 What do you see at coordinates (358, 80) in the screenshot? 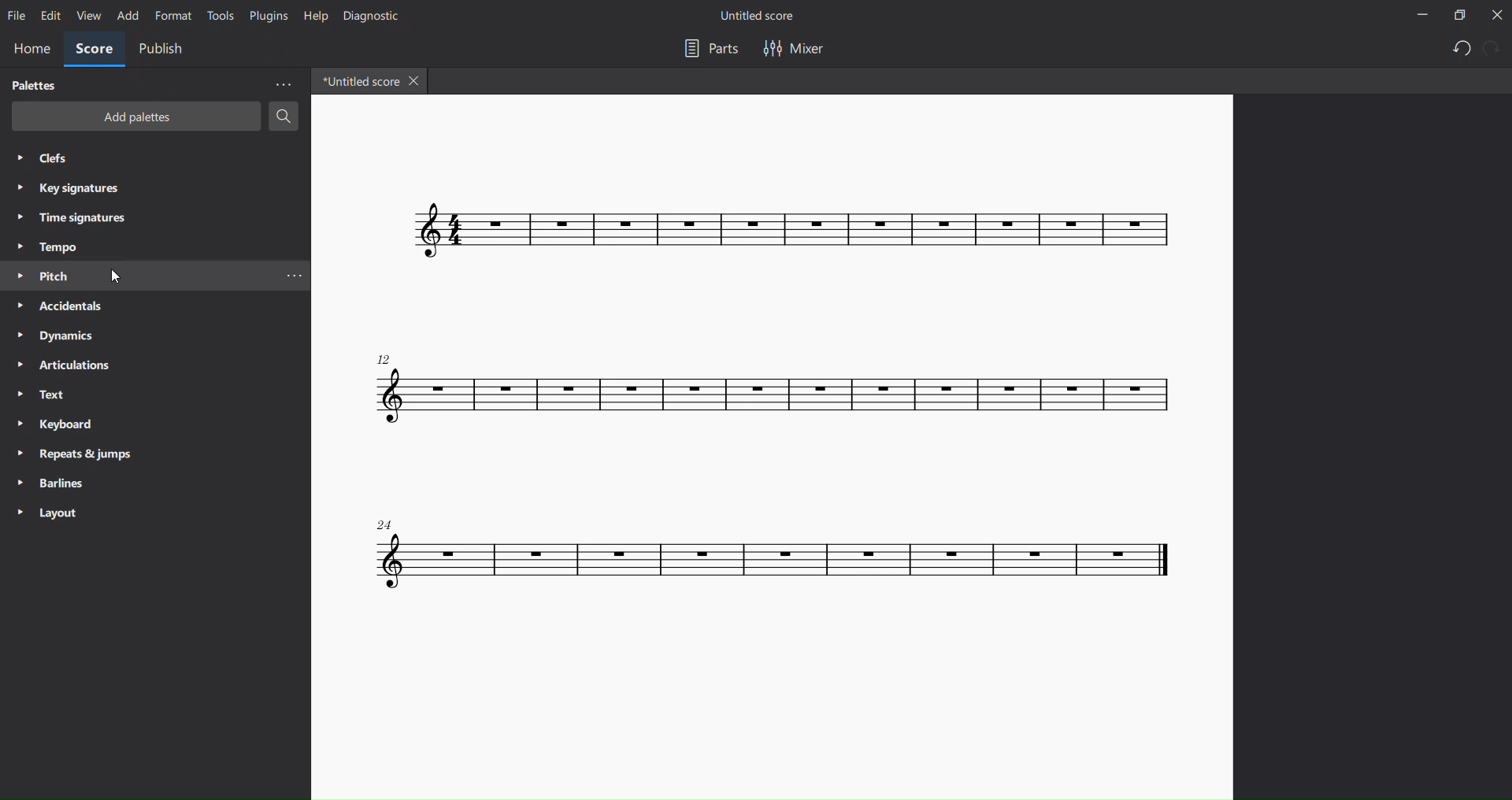
I see `title` at bounding box center [358, 80].